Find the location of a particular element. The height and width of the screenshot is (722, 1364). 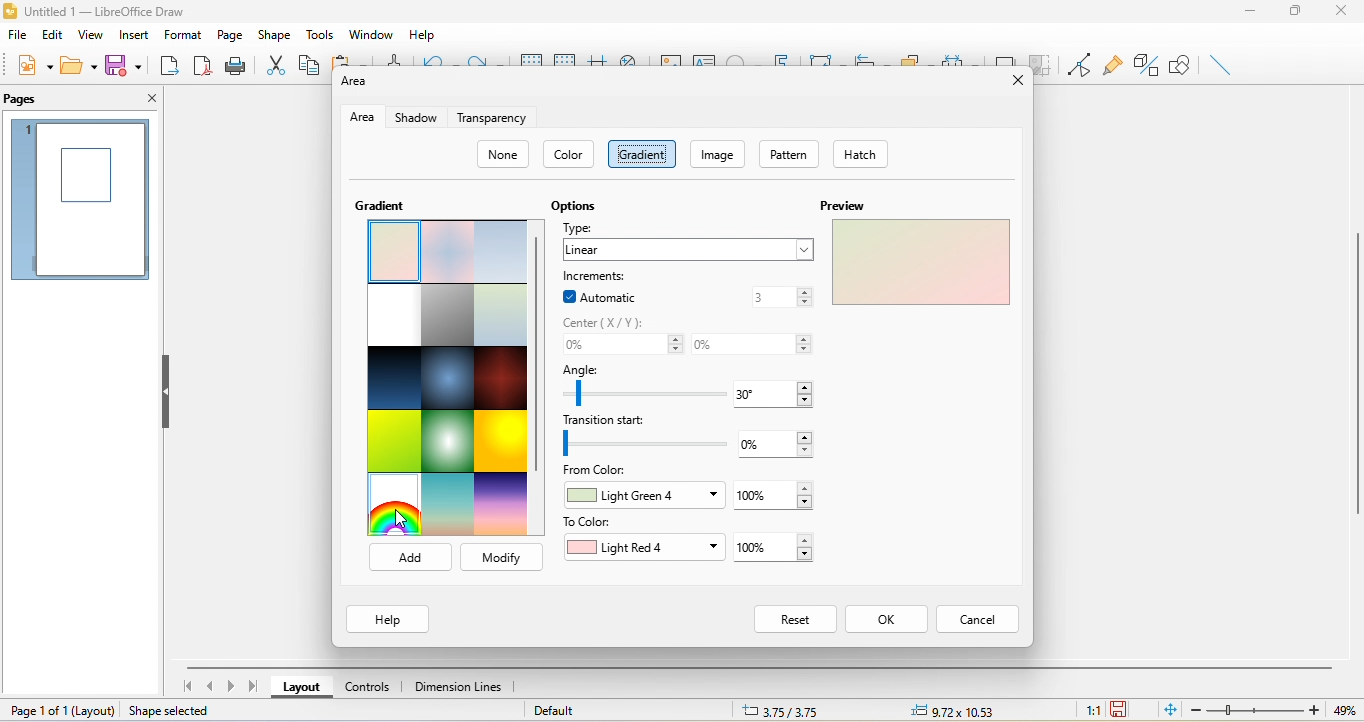

deep ocean is located at coordinates (449, 379).